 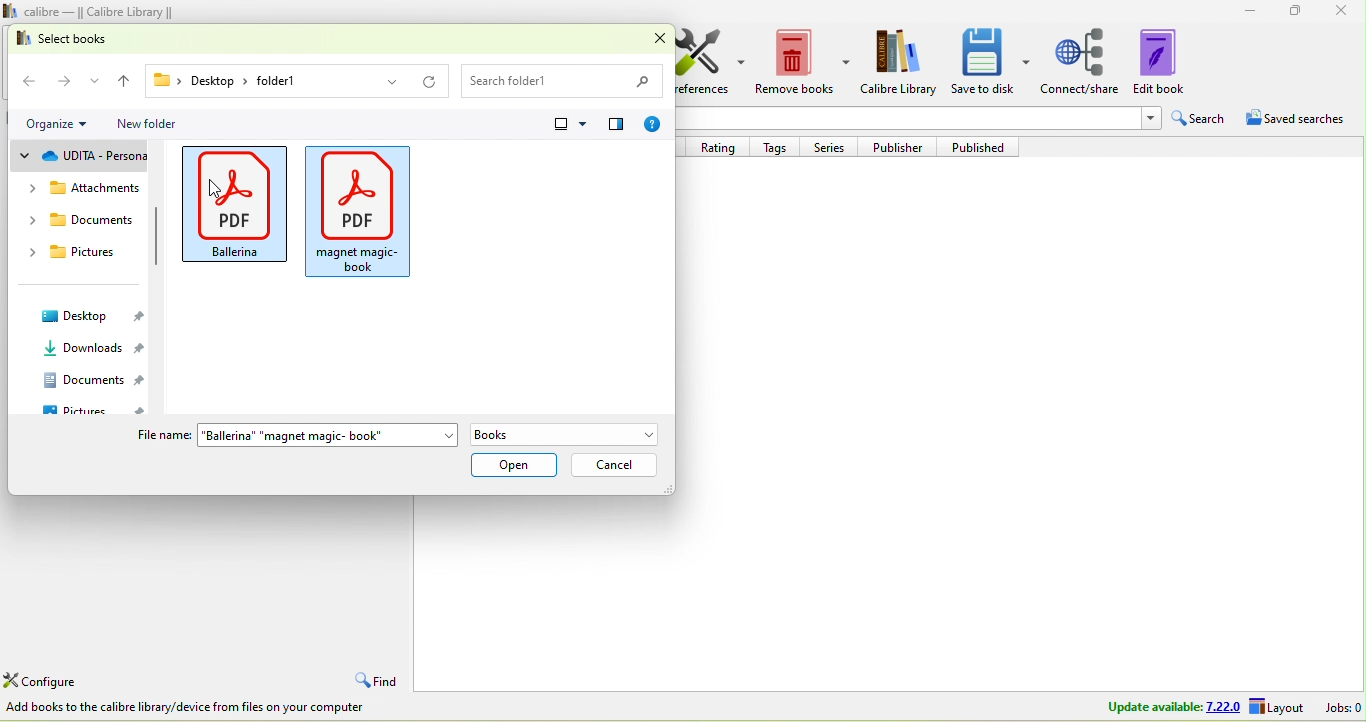 What do you see at coordinates (380, 680) in the screenshot?
I see `find` at bounding box center [380, 680].